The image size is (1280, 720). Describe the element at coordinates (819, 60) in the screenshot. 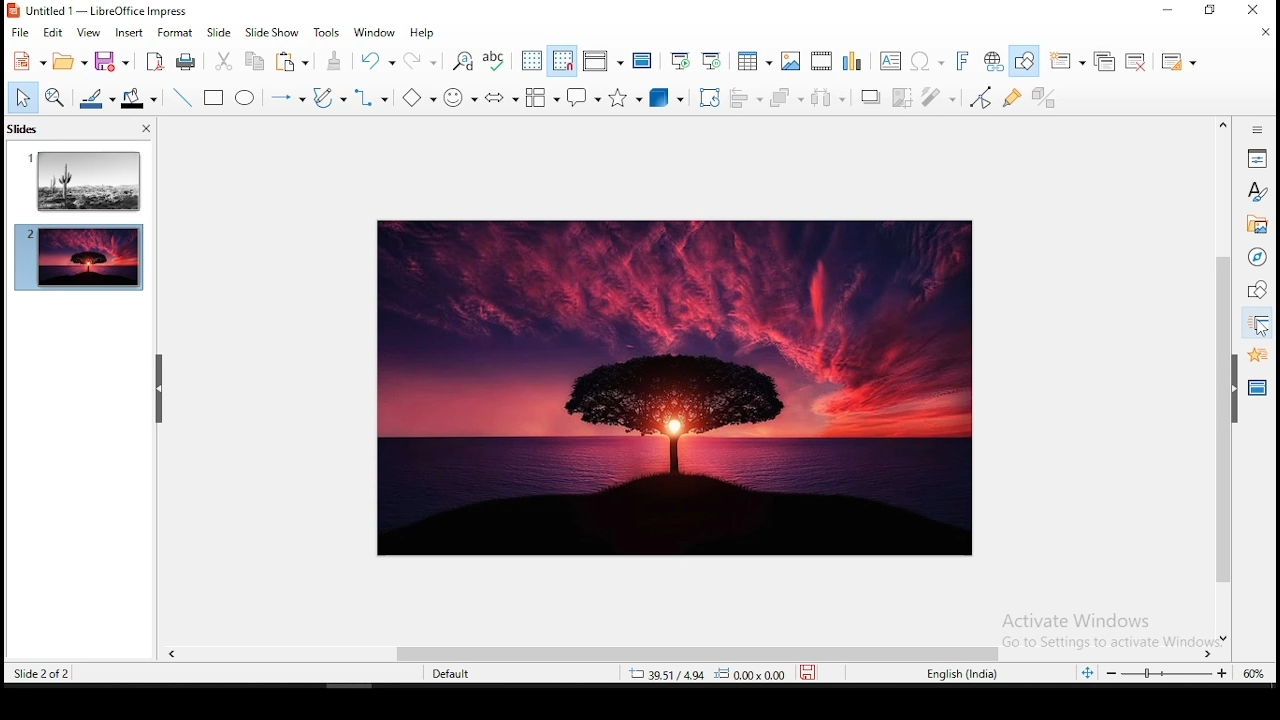

I see `insert audio and video` at that location.